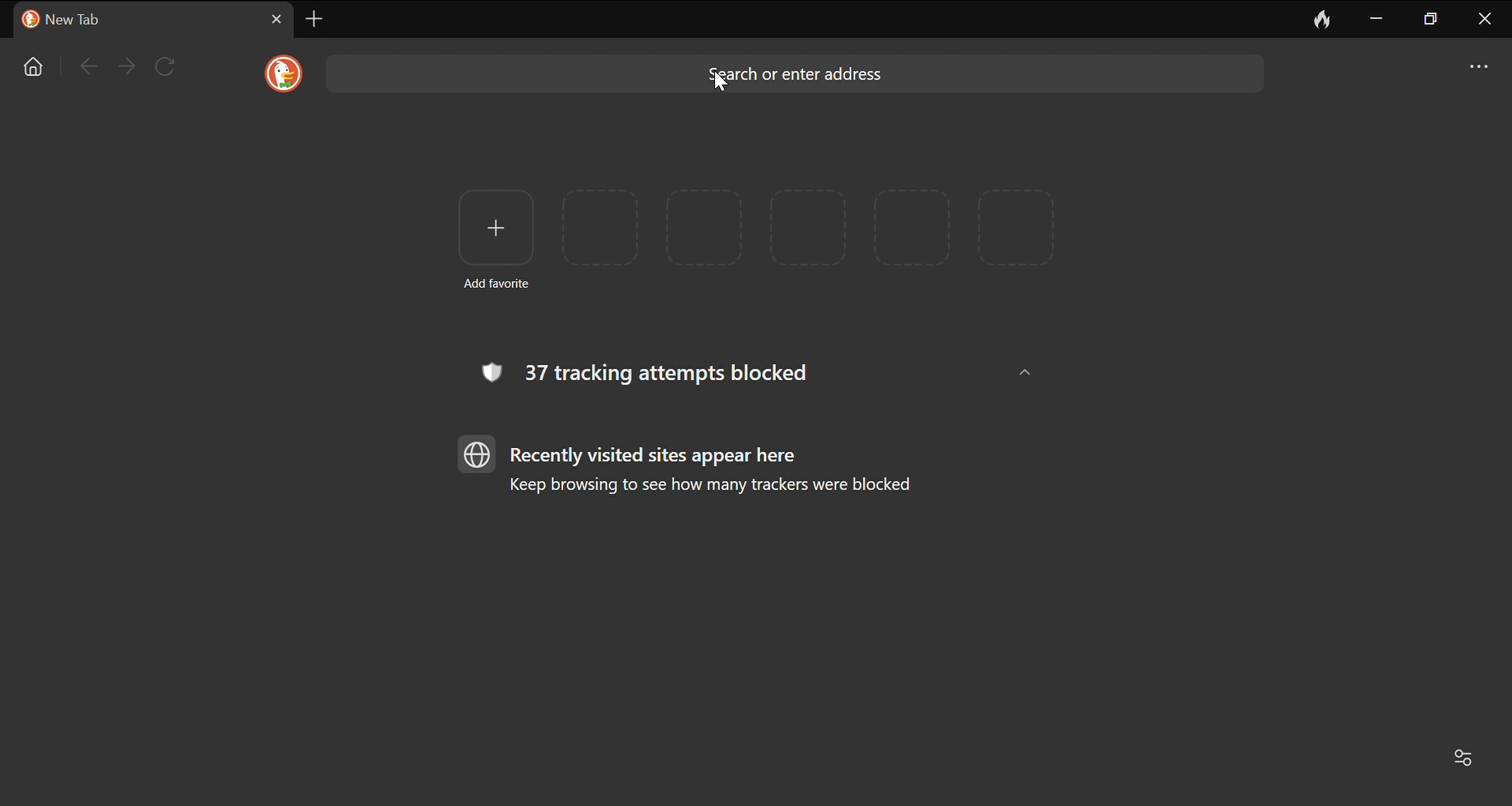  I want to click on Add favorite, so click(495, 237).